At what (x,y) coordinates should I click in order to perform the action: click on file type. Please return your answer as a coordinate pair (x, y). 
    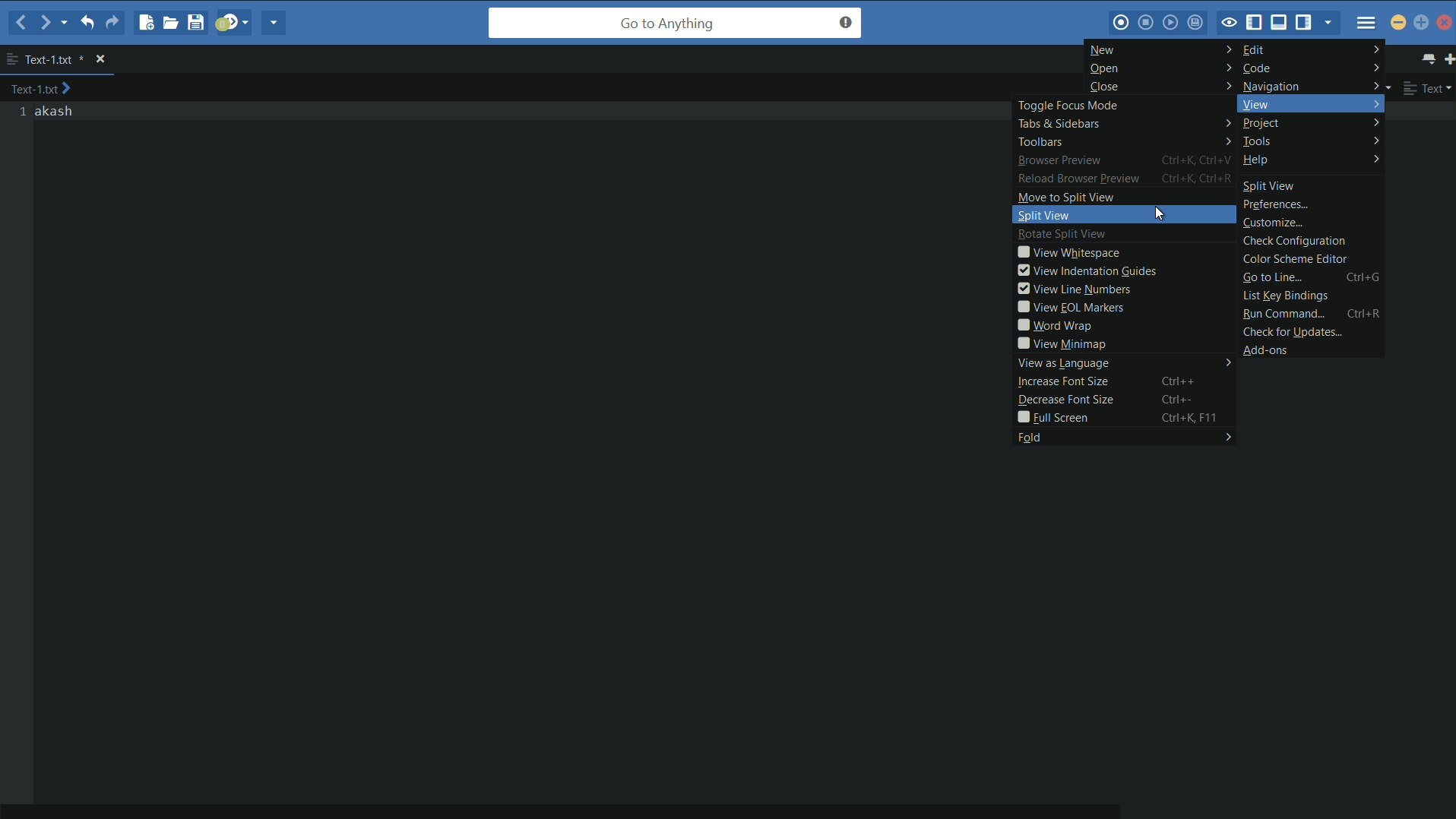
    Looking at the image, I should click on (1429, 87).